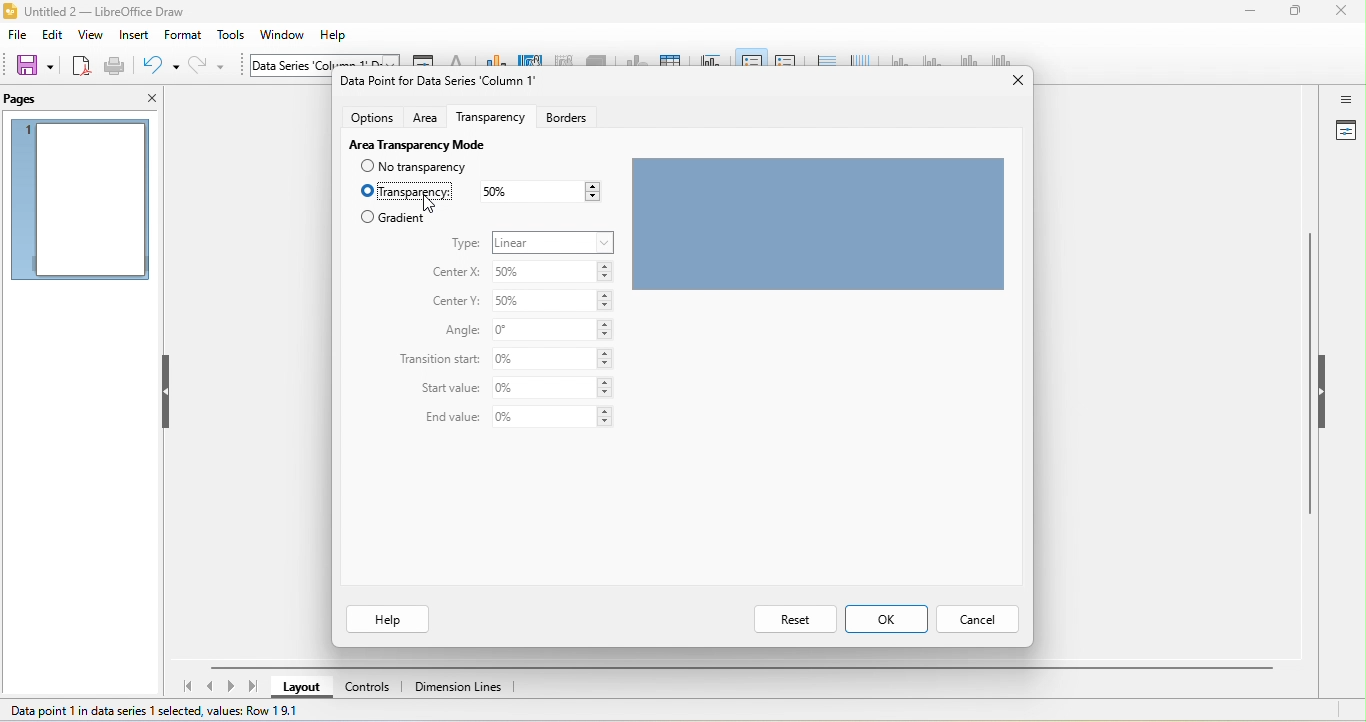 The image size is (1366, 722). What do you see at coordinates (432, 203) in the screenshot?
I see `cursor movement` at bounding box center [432, 203].